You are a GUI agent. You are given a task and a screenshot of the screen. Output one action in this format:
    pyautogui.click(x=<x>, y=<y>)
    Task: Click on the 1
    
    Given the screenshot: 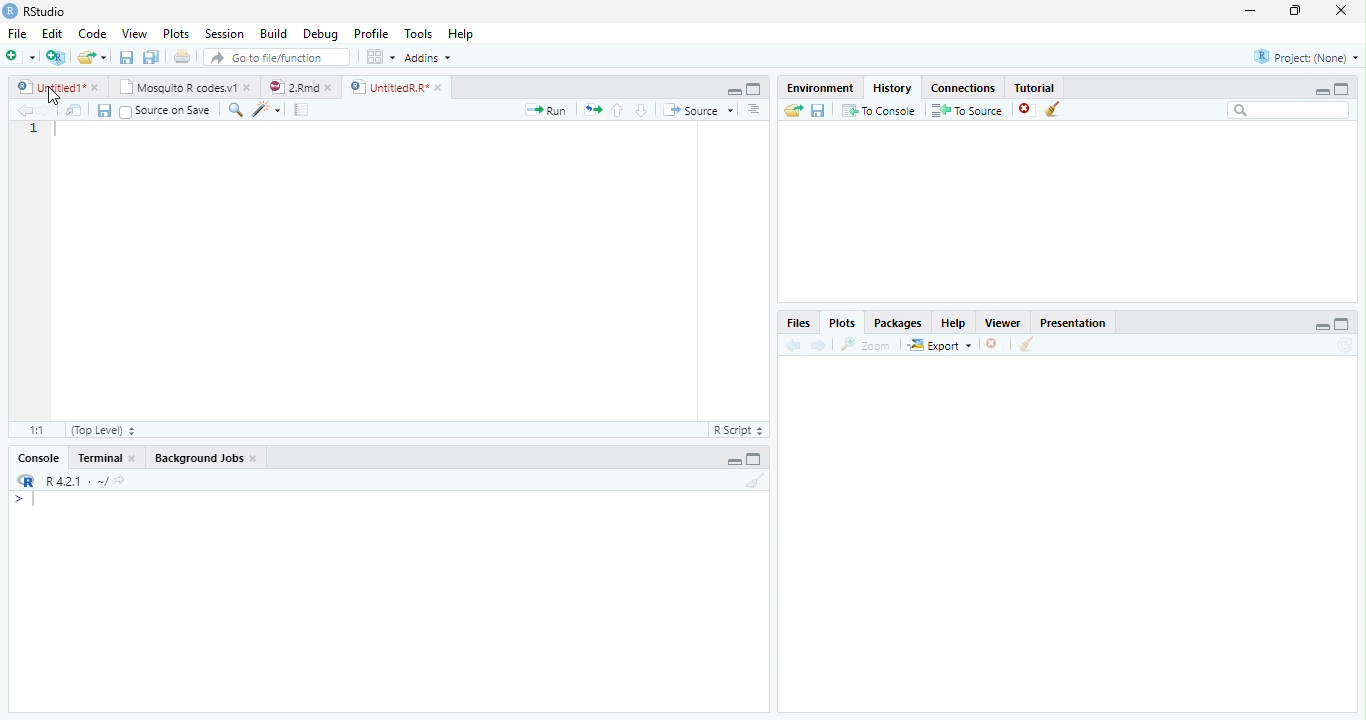 What is the action you would take?
    pyautogui.click(x=35, y=128)
    